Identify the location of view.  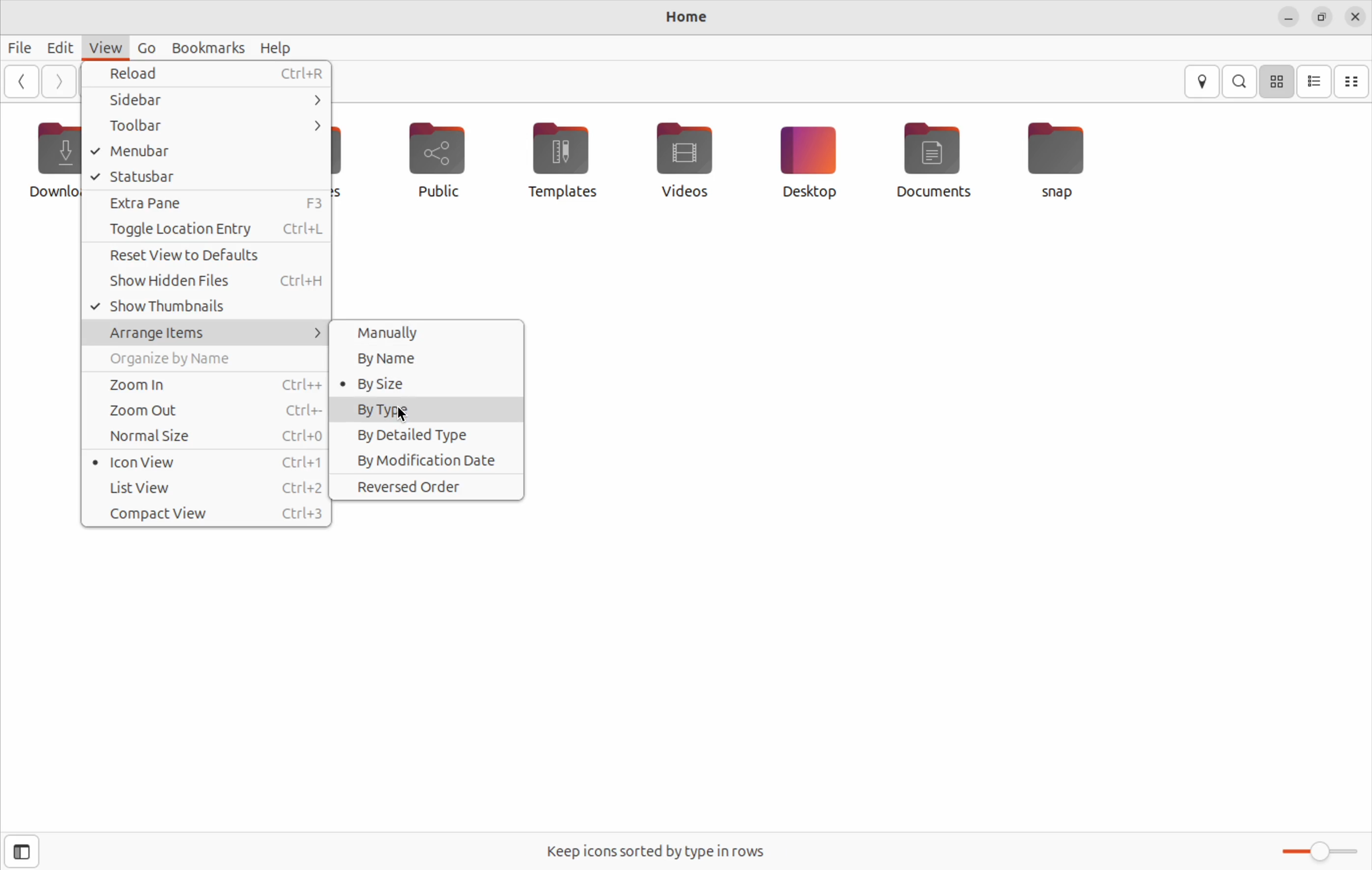
(101, 47).